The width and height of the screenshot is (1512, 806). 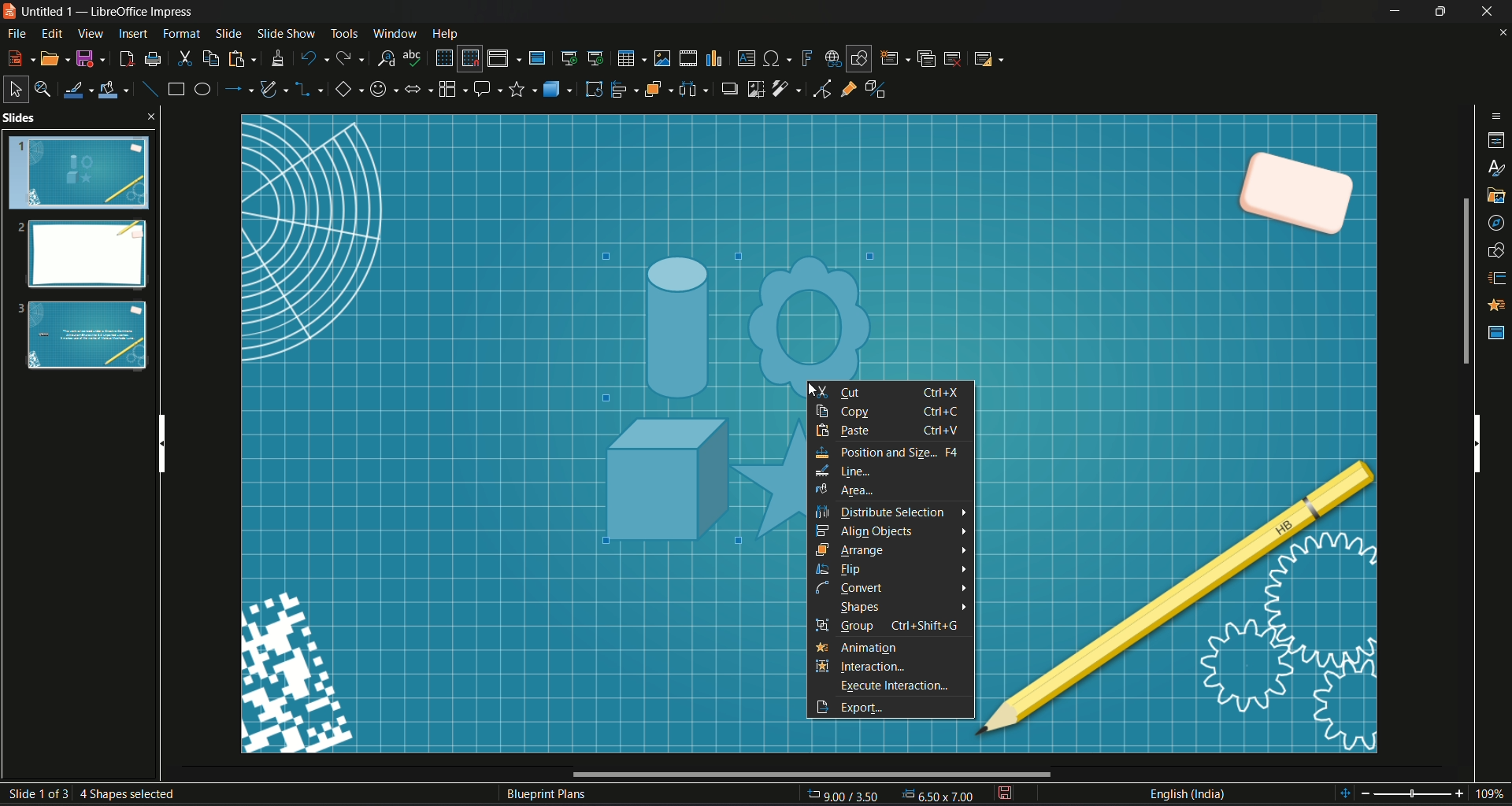 I want to click on crop image, so click(x=757, y=88).